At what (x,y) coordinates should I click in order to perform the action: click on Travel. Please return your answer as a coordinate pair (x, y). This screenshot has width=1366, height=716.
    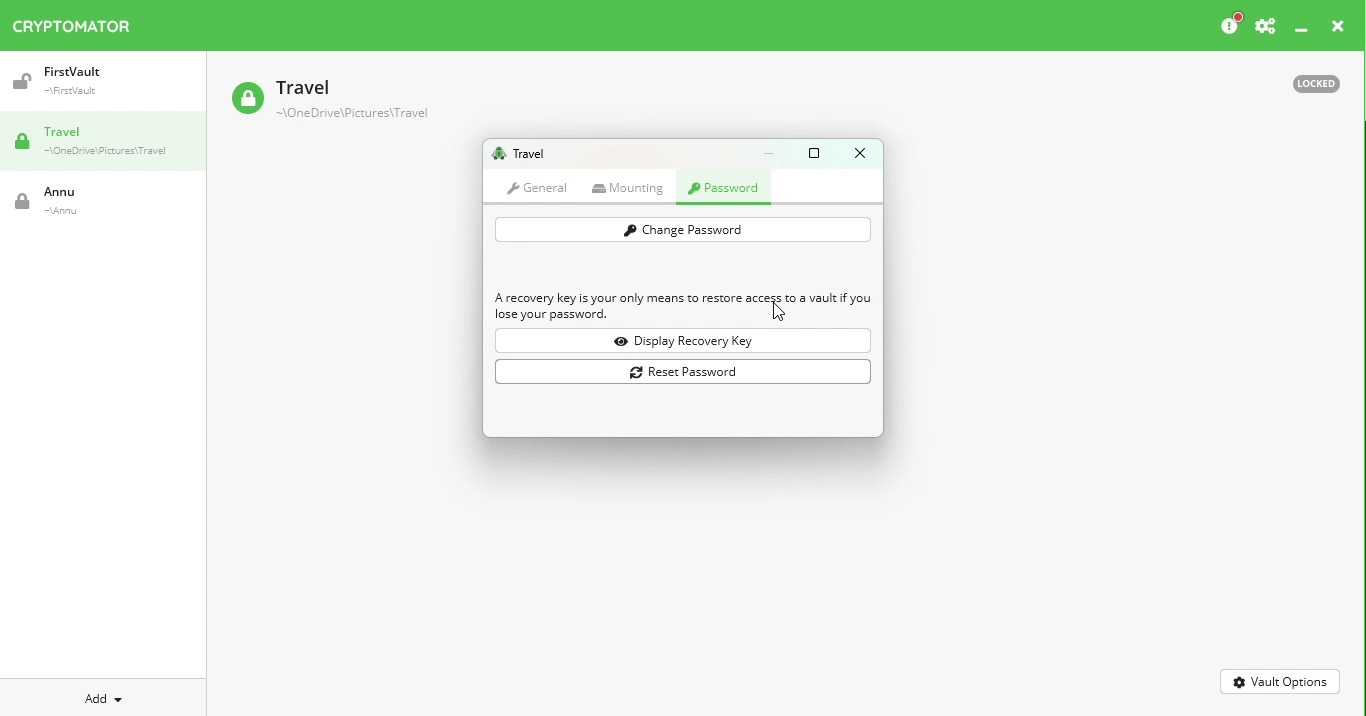
    Looking at the image, I should click on (110, 143).